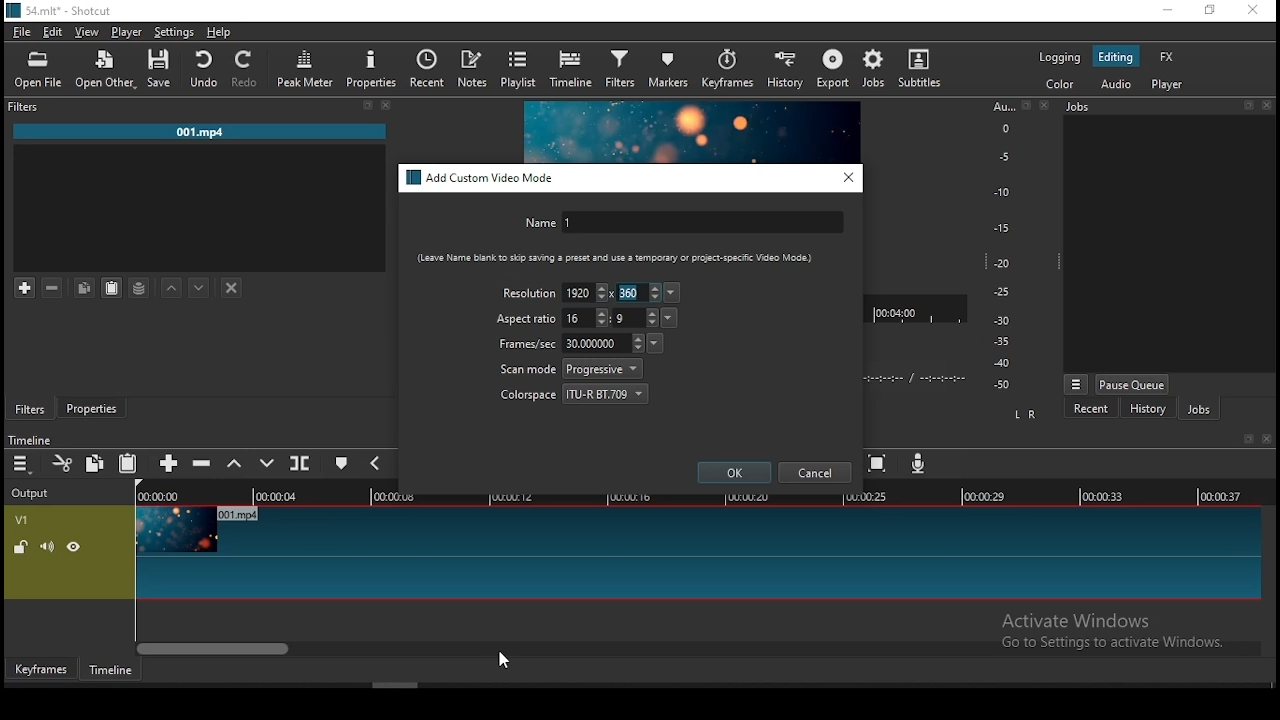  Describe the element at coordinates (1084, 620) in the screenshot. I see `Active Windows` at that location.